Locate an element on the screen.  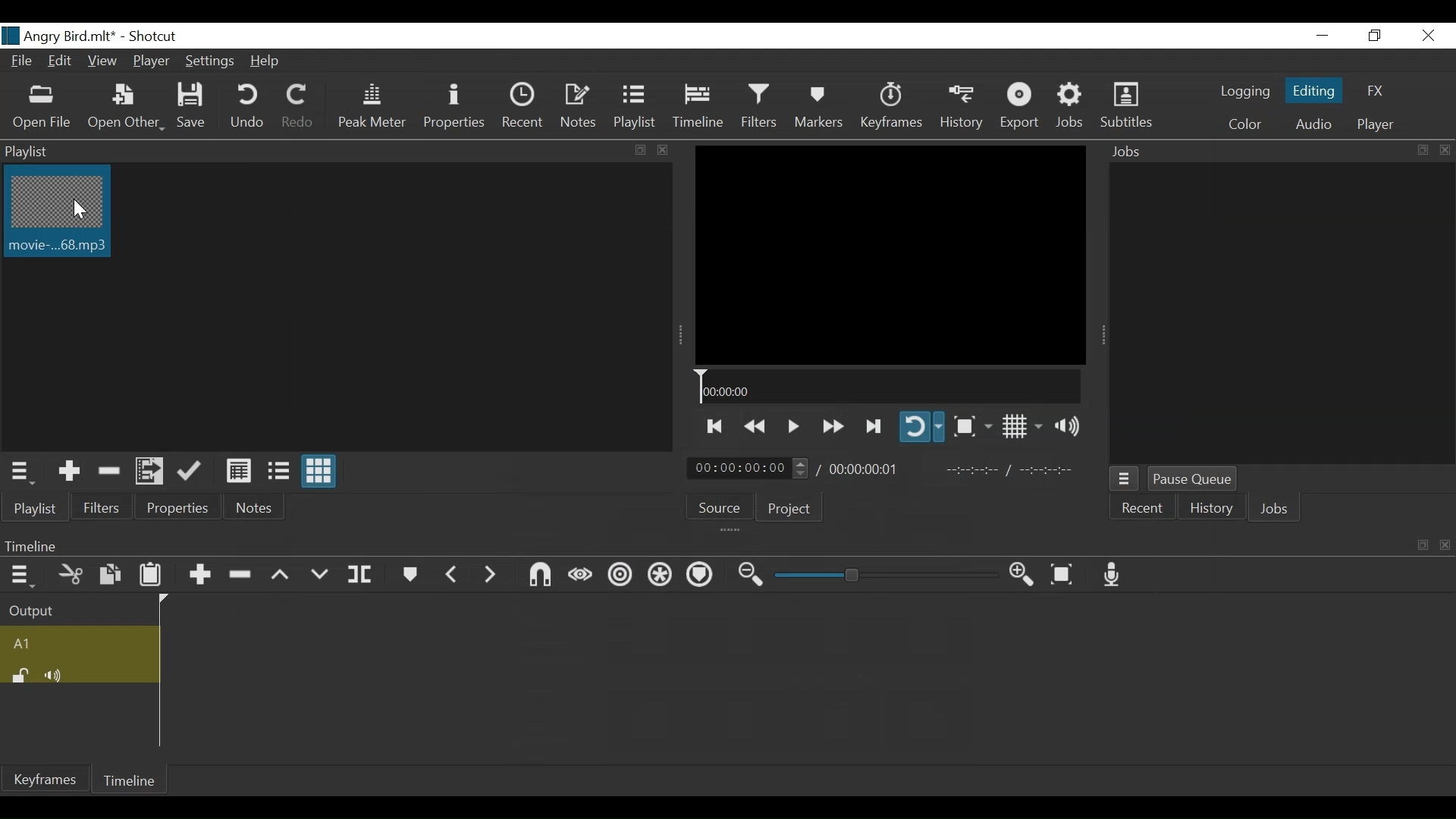
Remove Cut is located at coordinates (110, 472).